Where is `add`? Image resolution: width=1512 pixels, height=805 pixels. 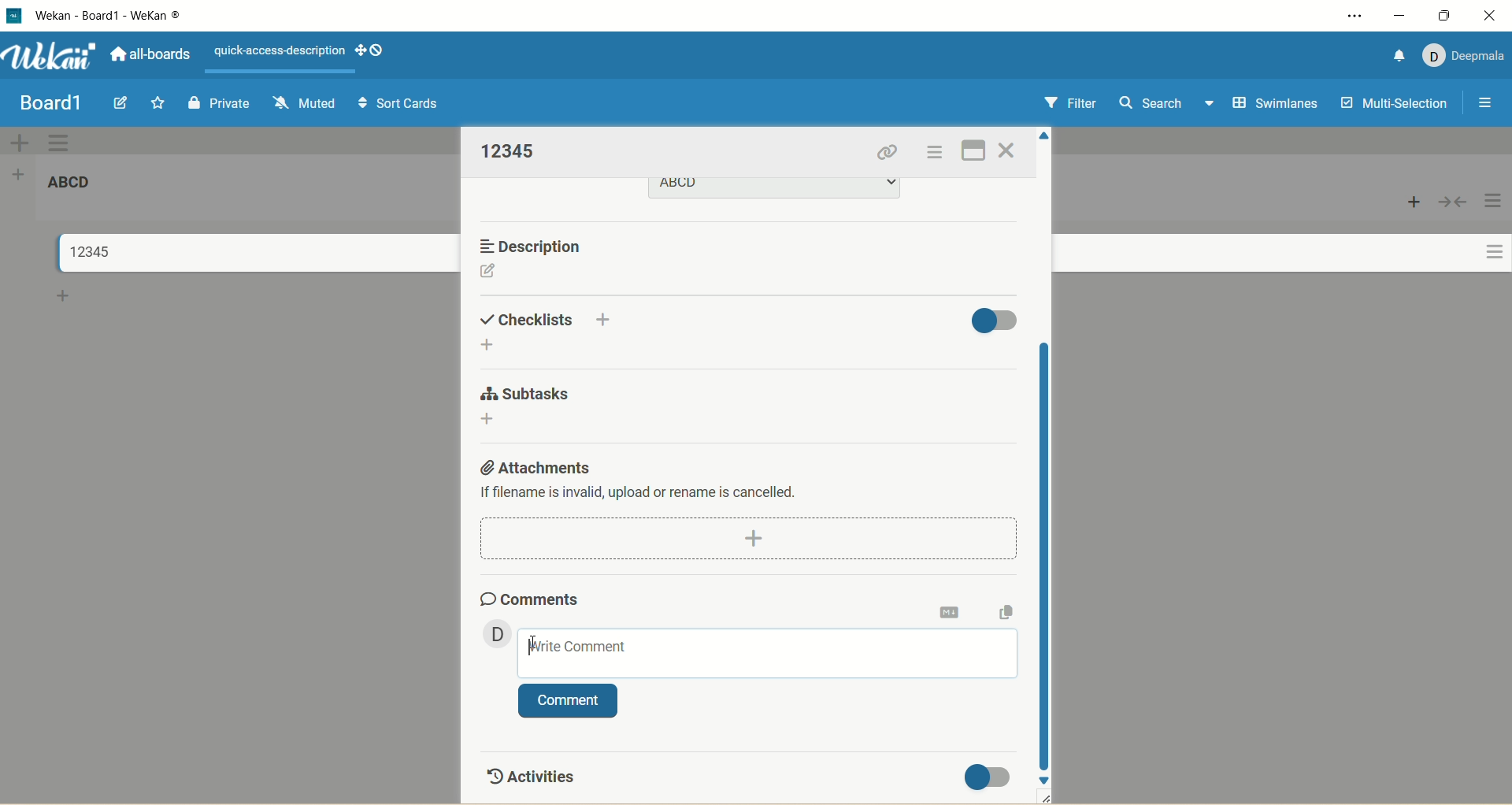 add is located at coordinates (486, 420).